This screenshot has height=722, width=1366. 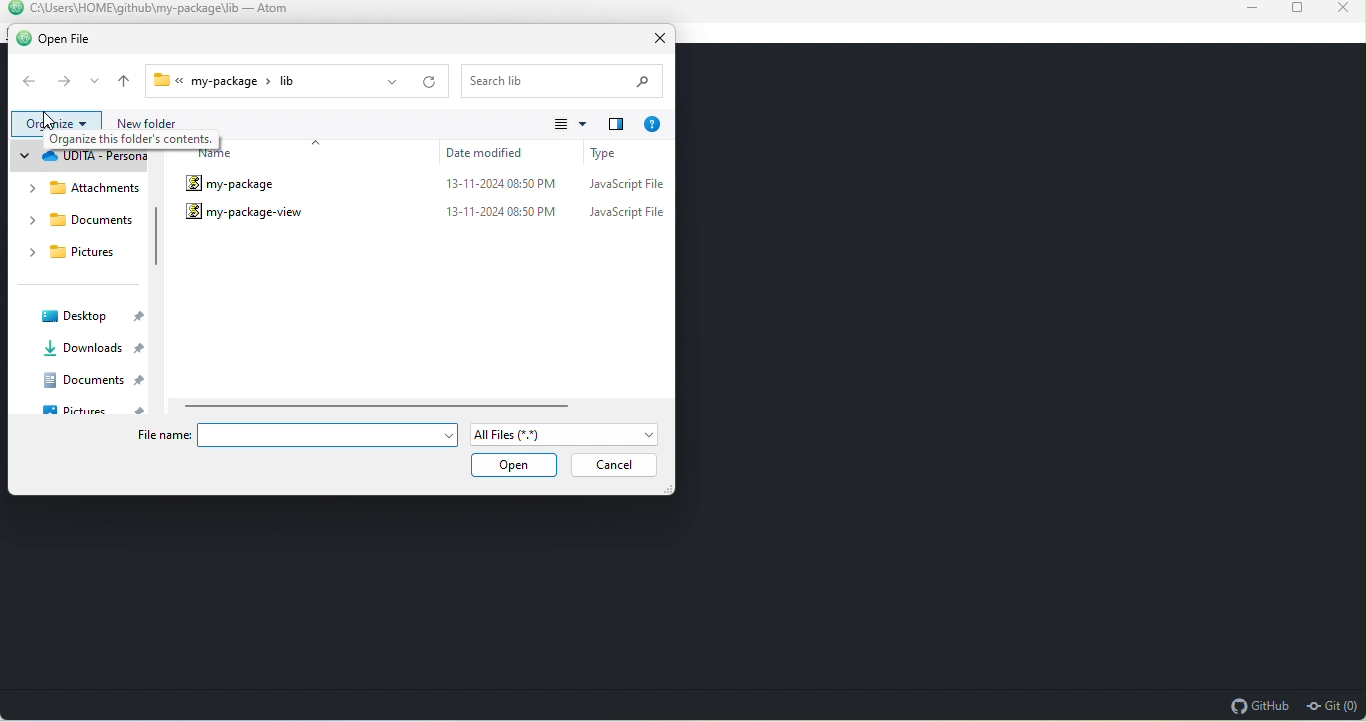 I want to click on type, so click(x=622, y=157).